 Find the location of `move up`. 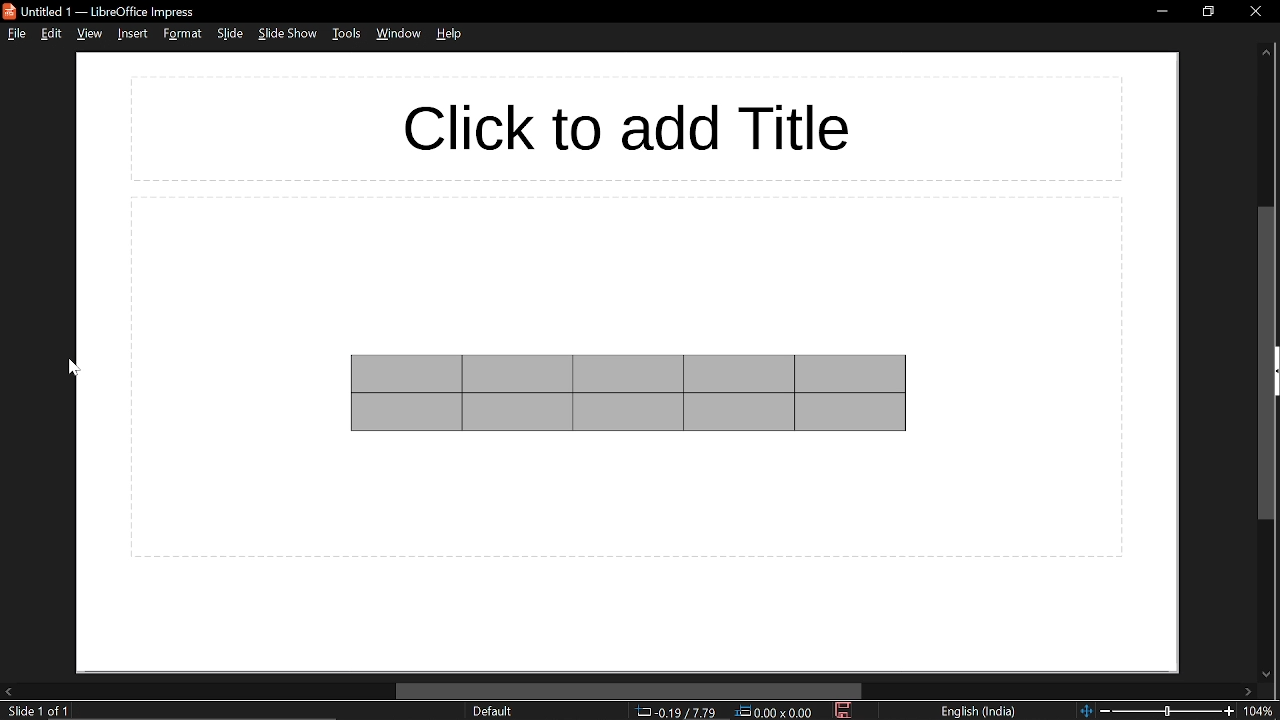

move up is located at coordinates (1266, 51).